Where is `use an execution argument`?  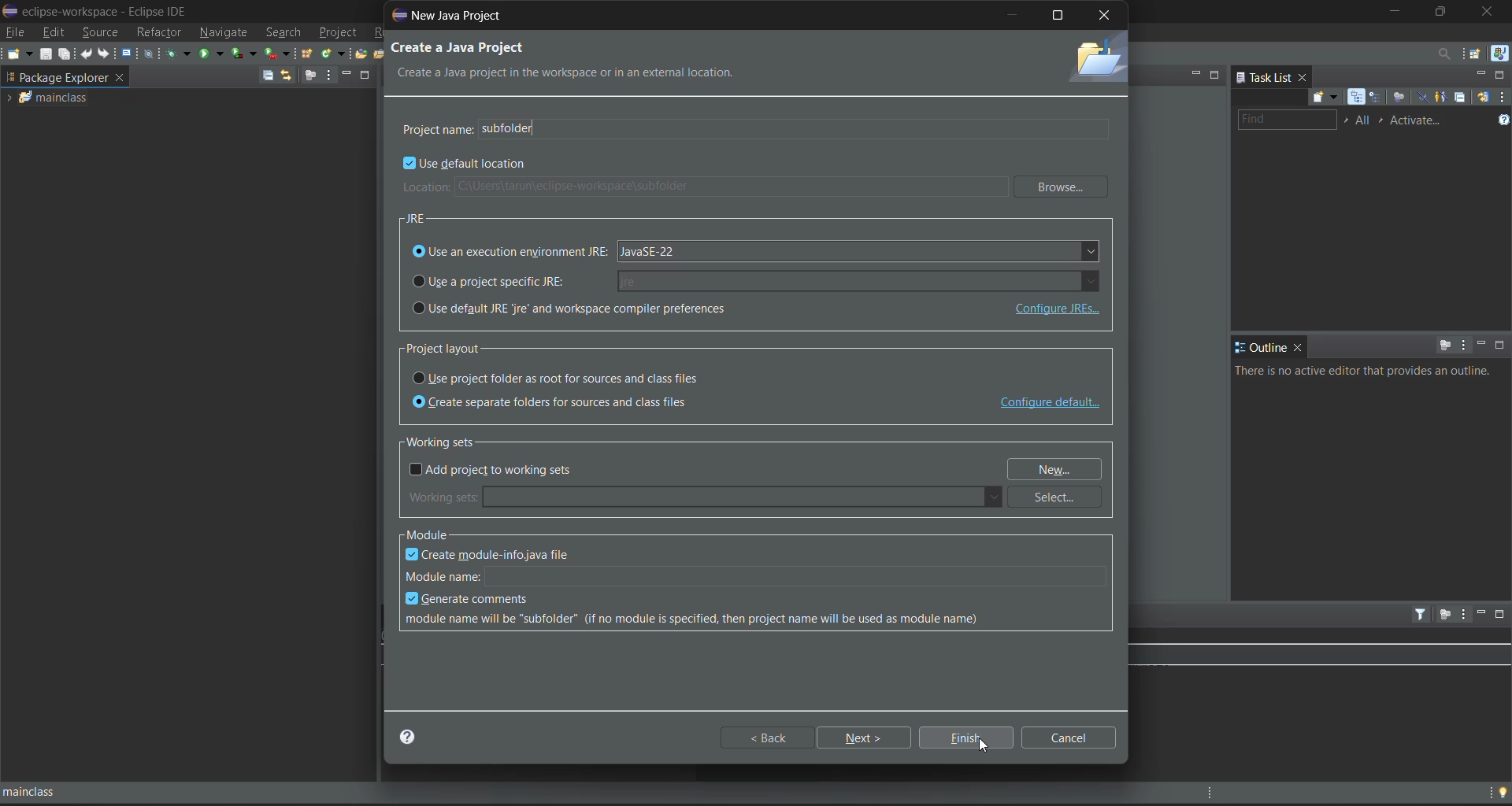 use an execution argument is located at coordinates (757, 252).